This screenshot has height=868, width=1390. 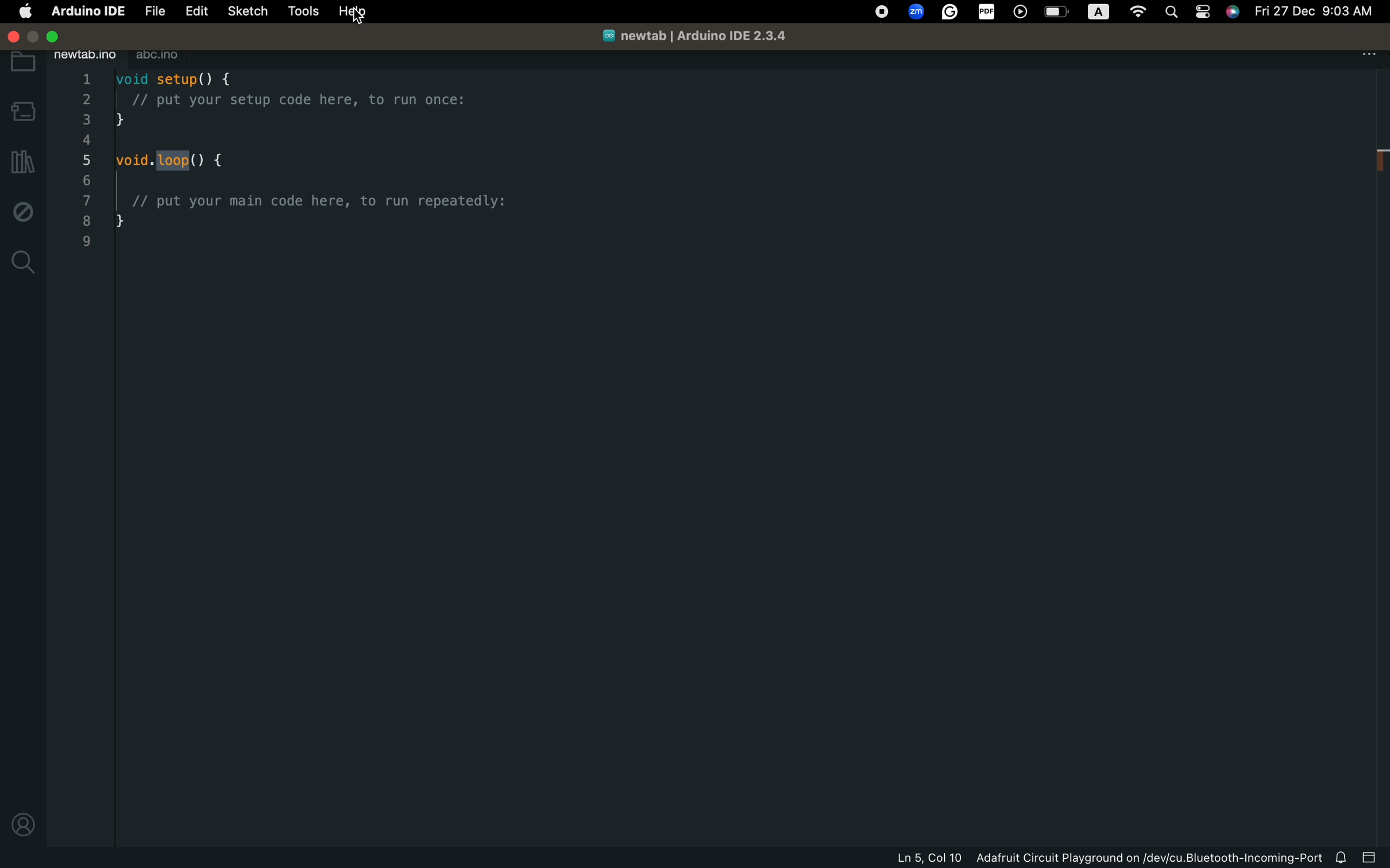 What do you see at coordinates (152, 11) in the screenshot?
I see `file` at bounding box center [152, 11].